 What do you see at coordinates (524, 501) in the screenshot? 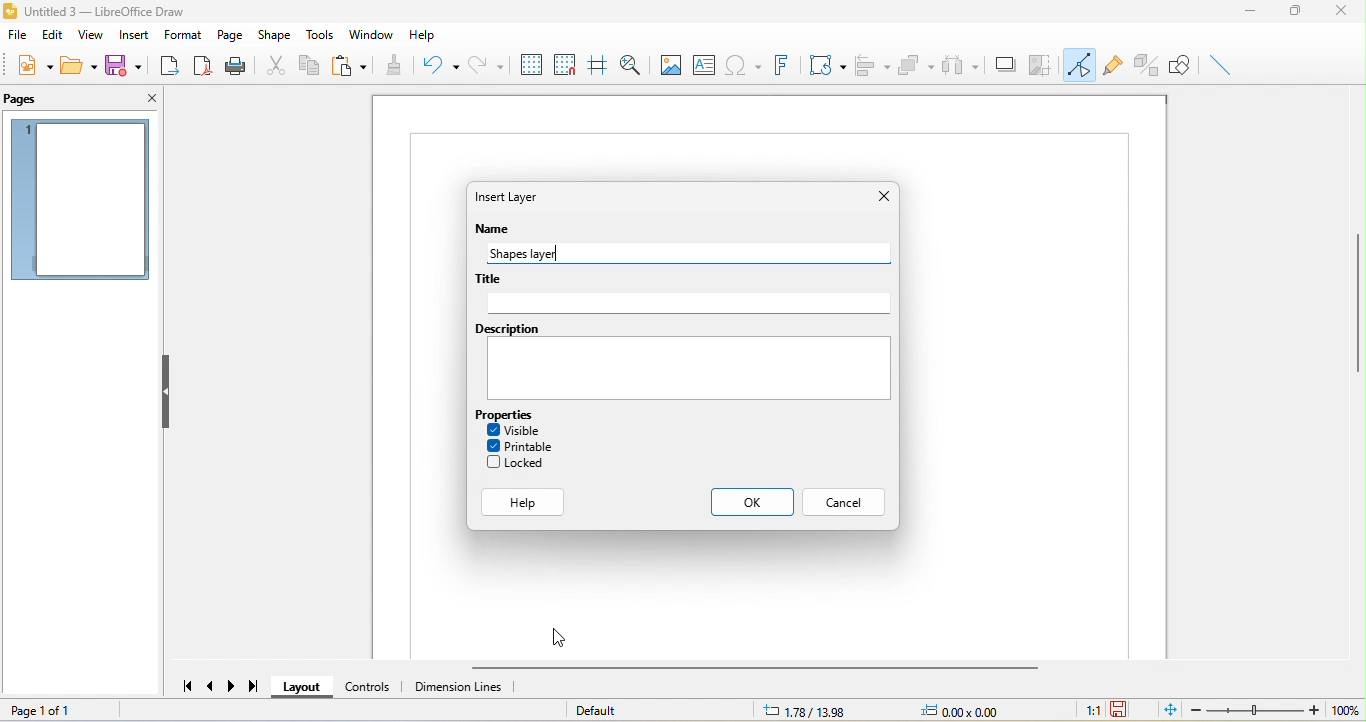
I see `help` at bounding box center [524, 501].